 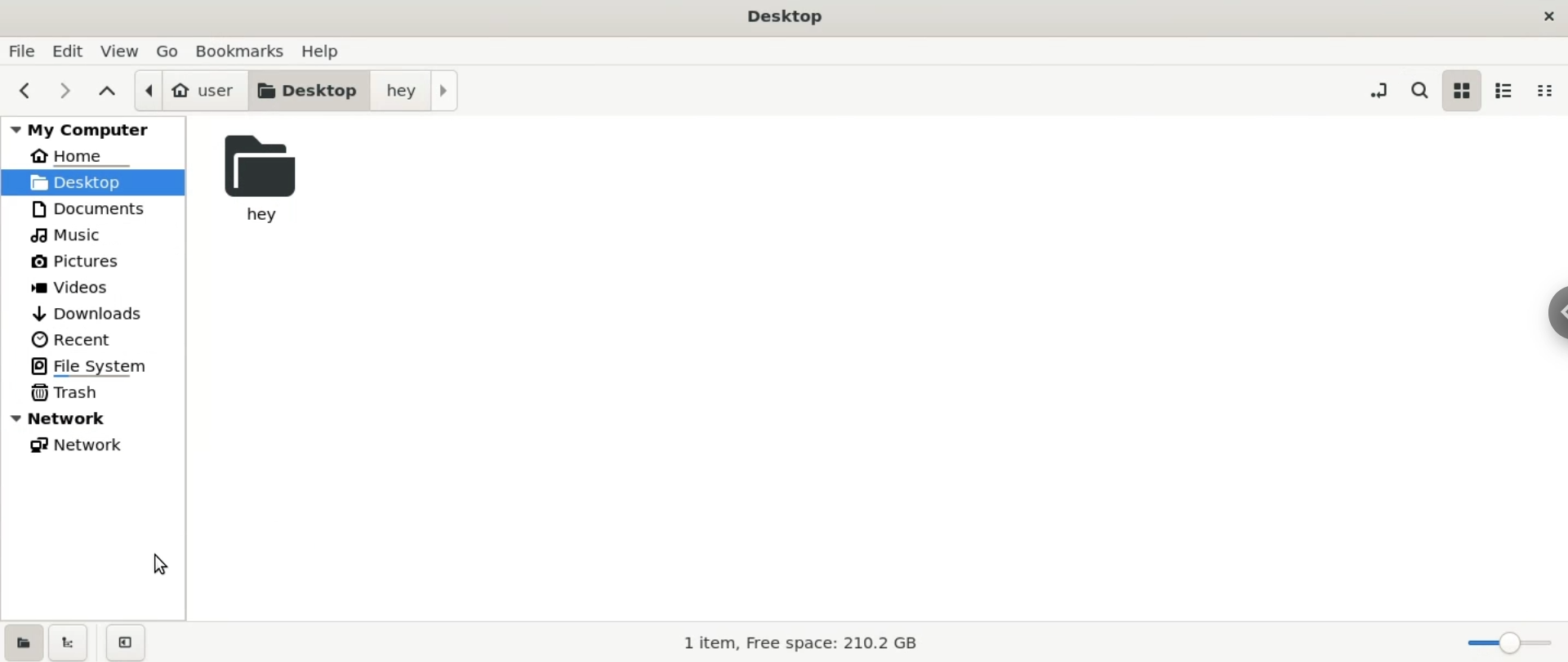 What do you see at coordinates (191, 89) in the screenshot?
I see `user` at bounding box center [191, 89].